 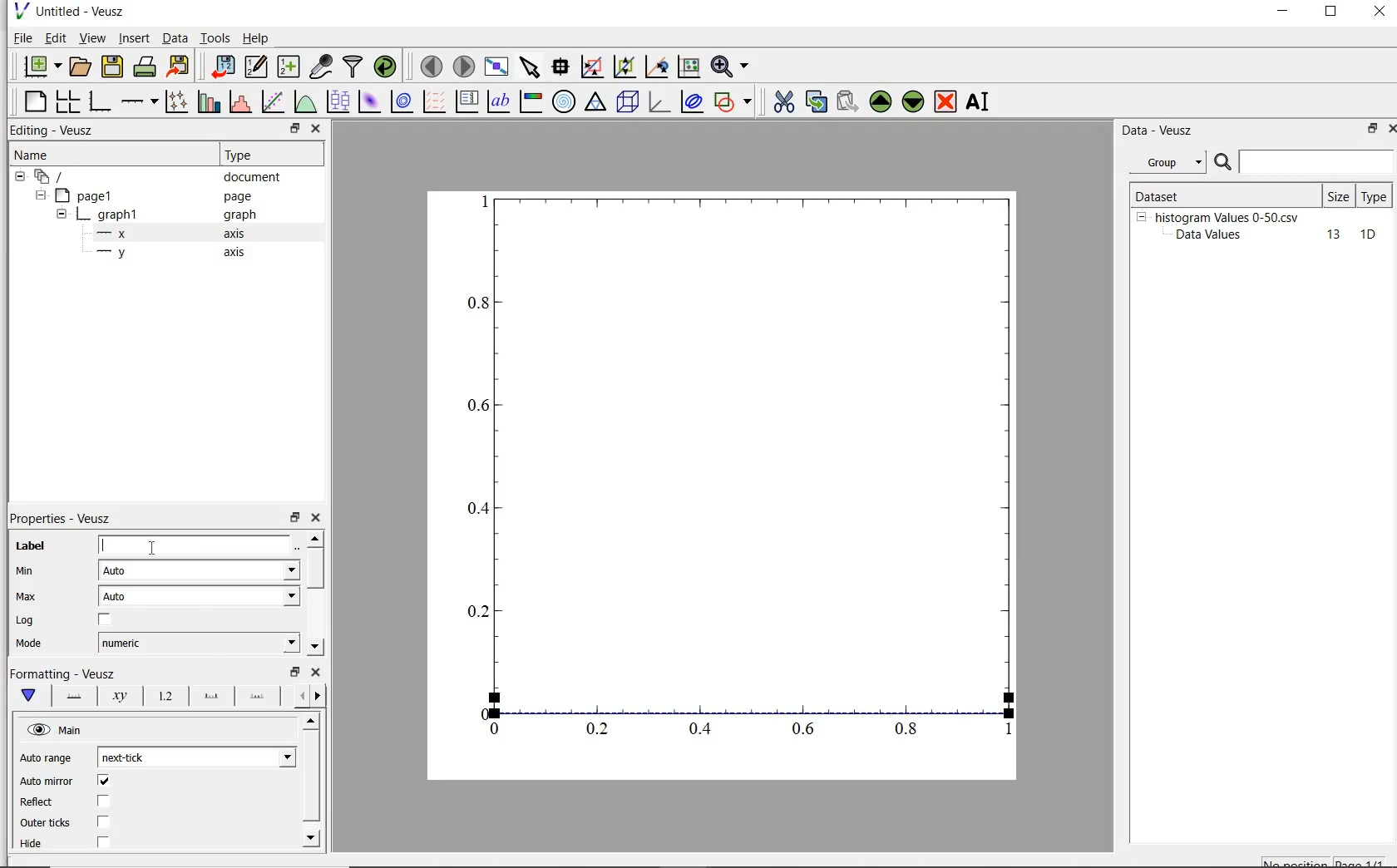 What do you see at coordinates (1380, 12) in the screenshot?
I see `close` at bounding box center [1380, 12].